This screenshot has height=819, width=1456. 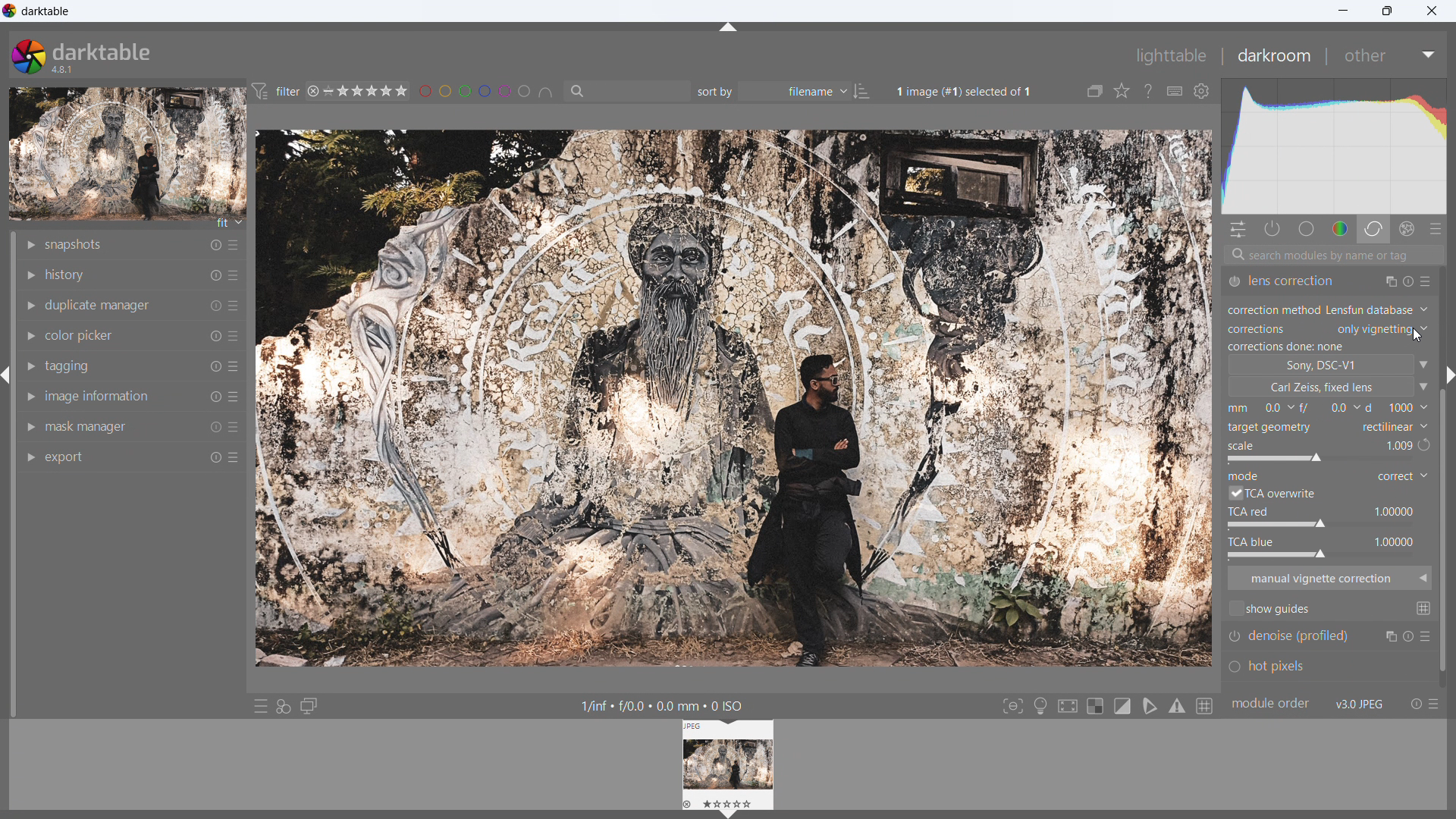 I want to click on show module, so click(x=33, y=458).